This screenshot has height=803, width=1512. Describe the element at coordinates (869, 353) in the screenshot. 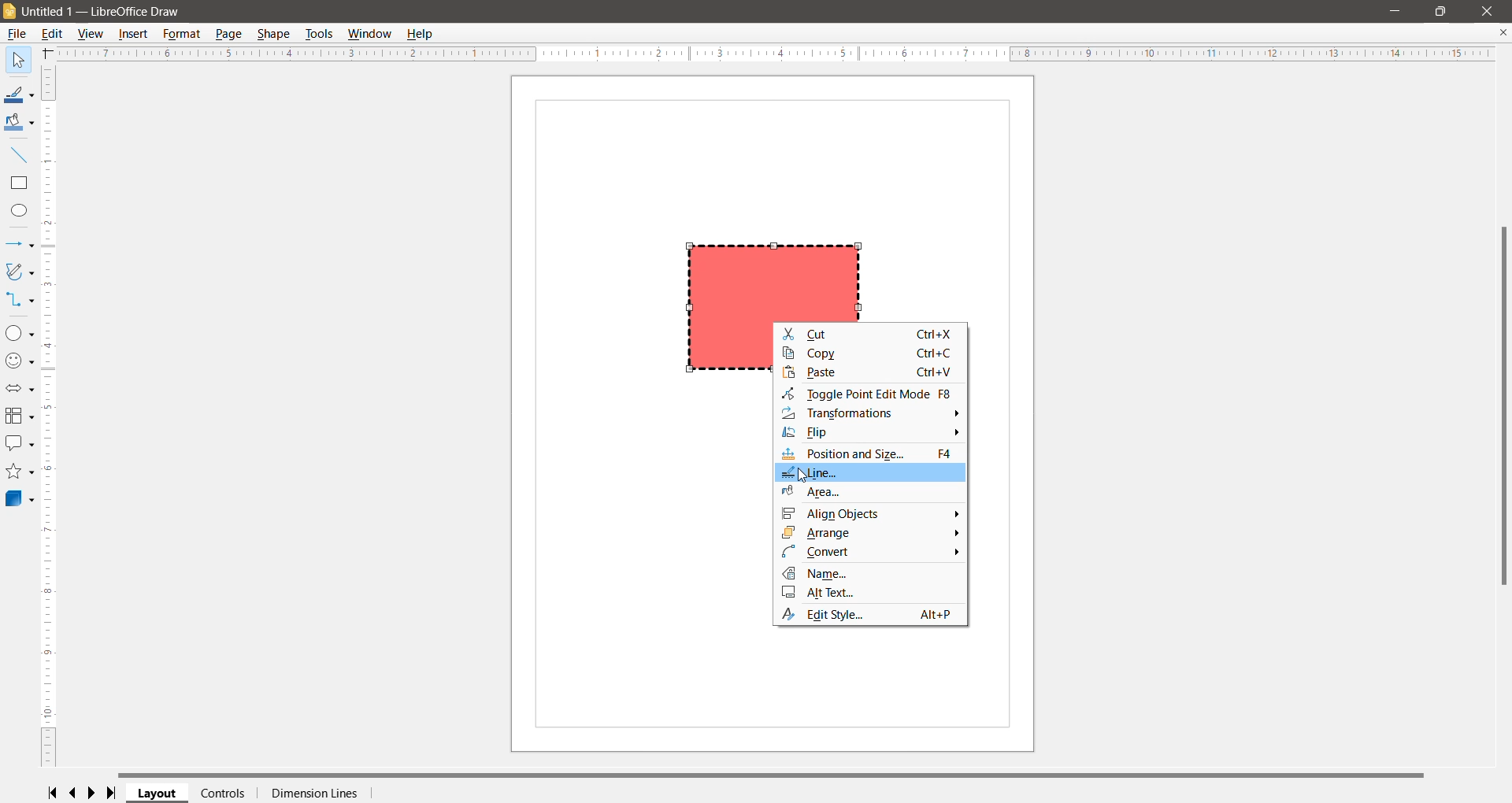

I see `Copy` at that location.